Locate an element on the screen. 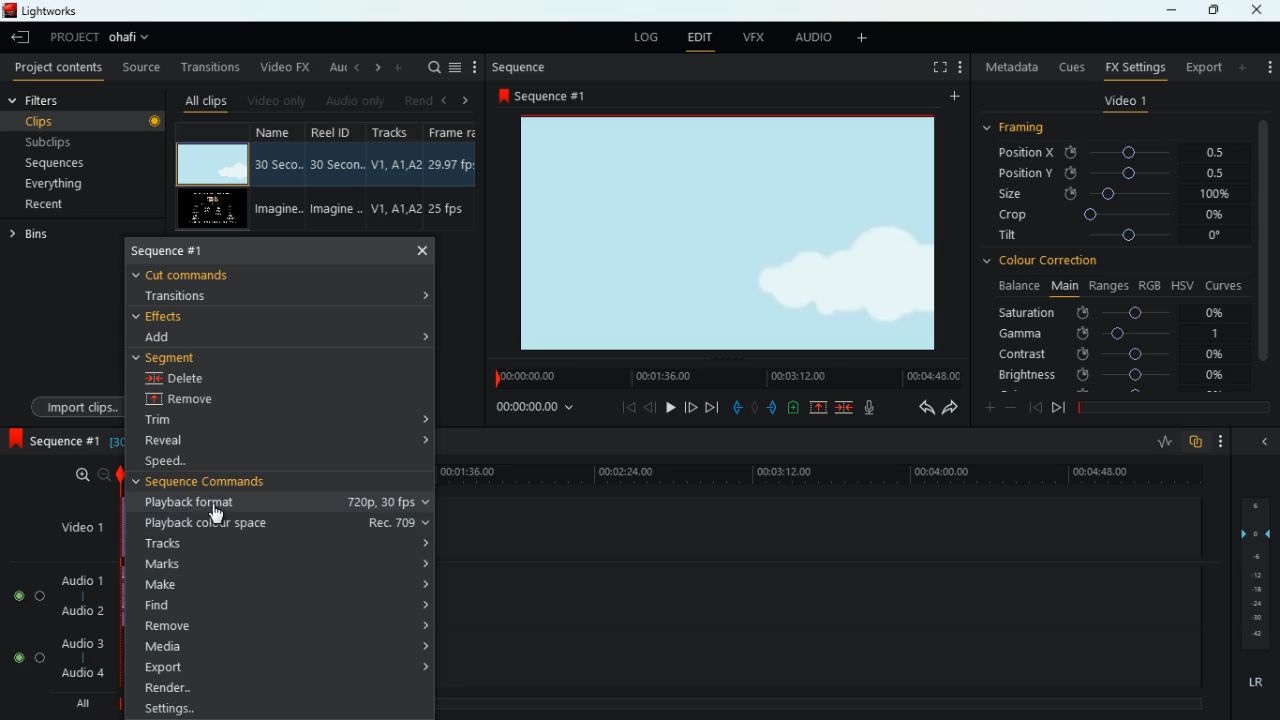 The width and height of the screenshot is (1280, 720). speed is located at coordinates (186, 460).